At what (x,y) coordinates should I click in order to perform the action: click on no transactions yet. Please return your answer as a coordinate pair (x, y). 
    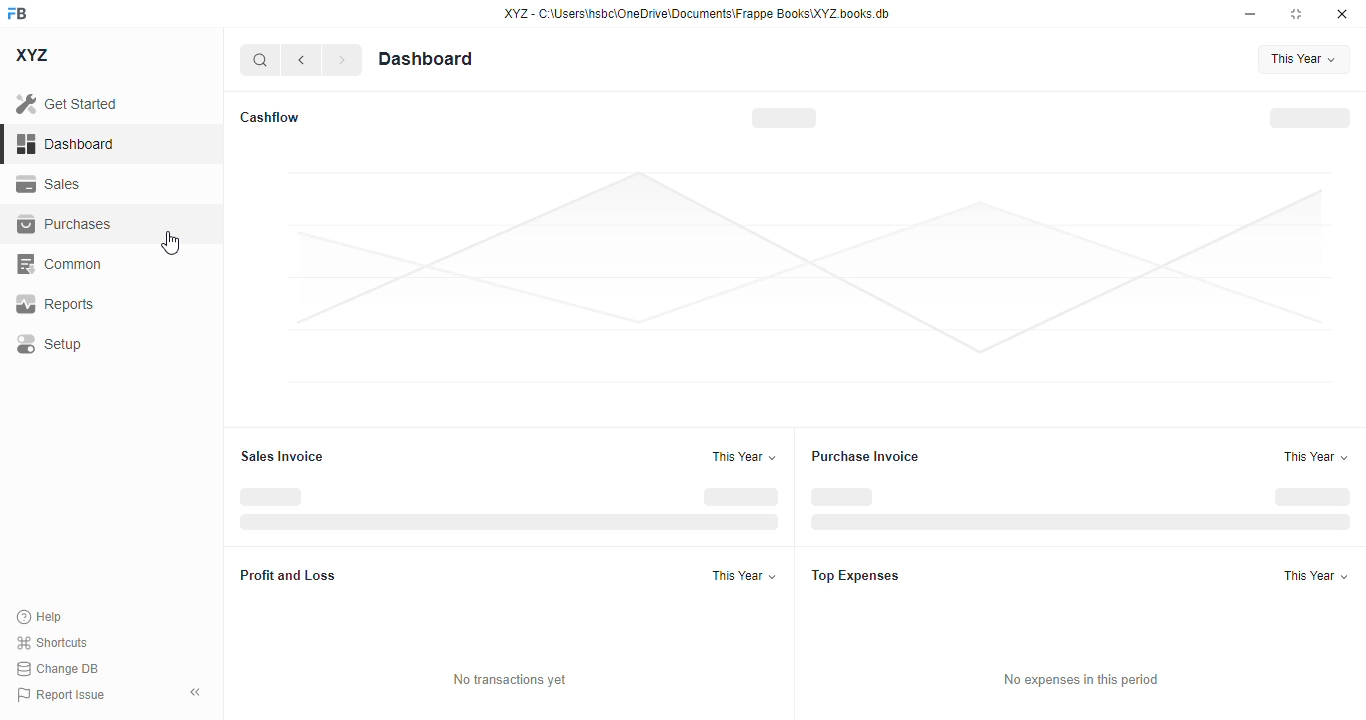
    Looking at the image, I should click on (510, 680).